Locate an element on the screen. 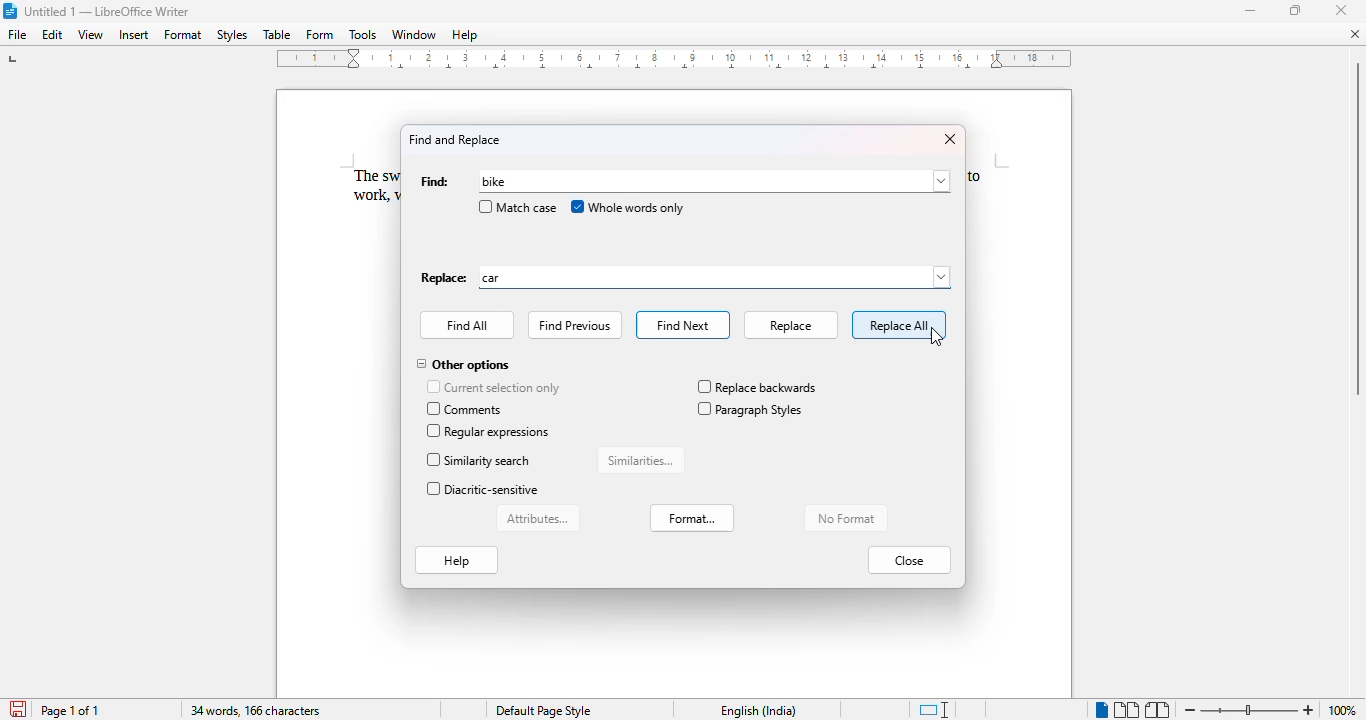 Image resolution: width=1366 pixels, height=720 pixels. car is located at coordinates (527, 279).